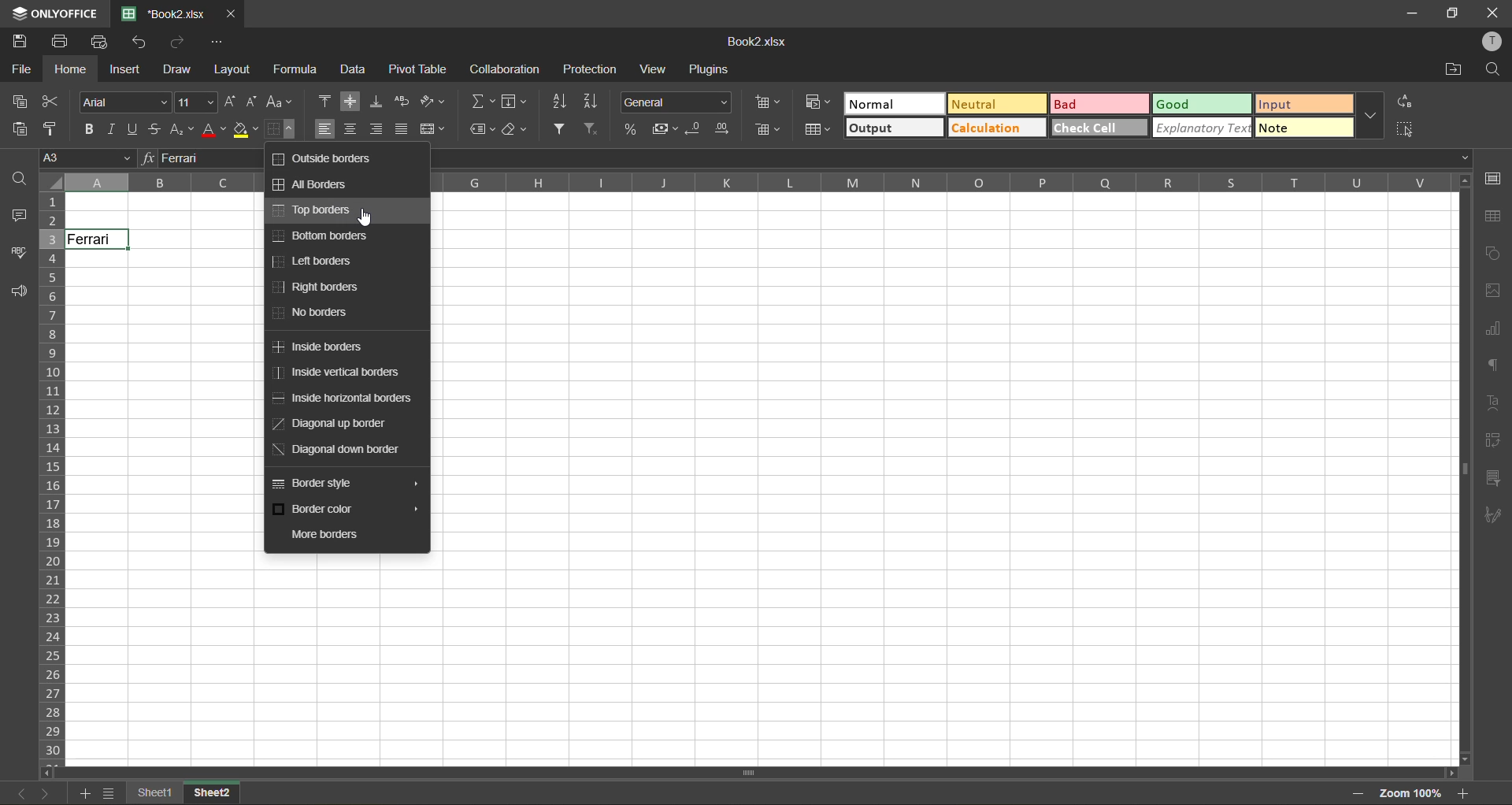 The width and height of the screenshot is (1512, 805). Describe the element at coordinates (345, 479) in the screenshot. I see `border style` at that location.